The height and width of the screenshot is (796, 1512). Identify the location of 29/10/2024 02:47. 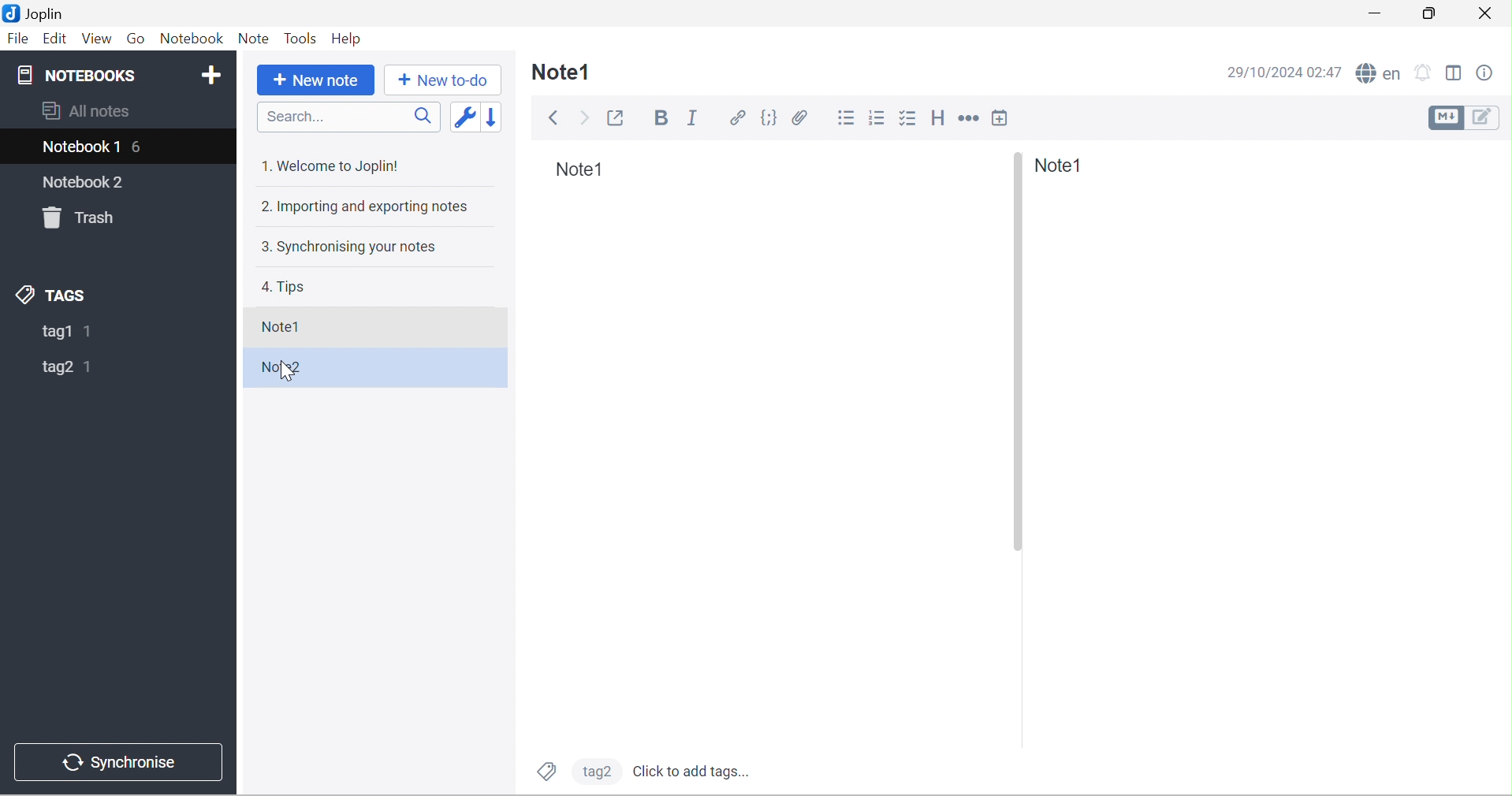
(1282, 72).